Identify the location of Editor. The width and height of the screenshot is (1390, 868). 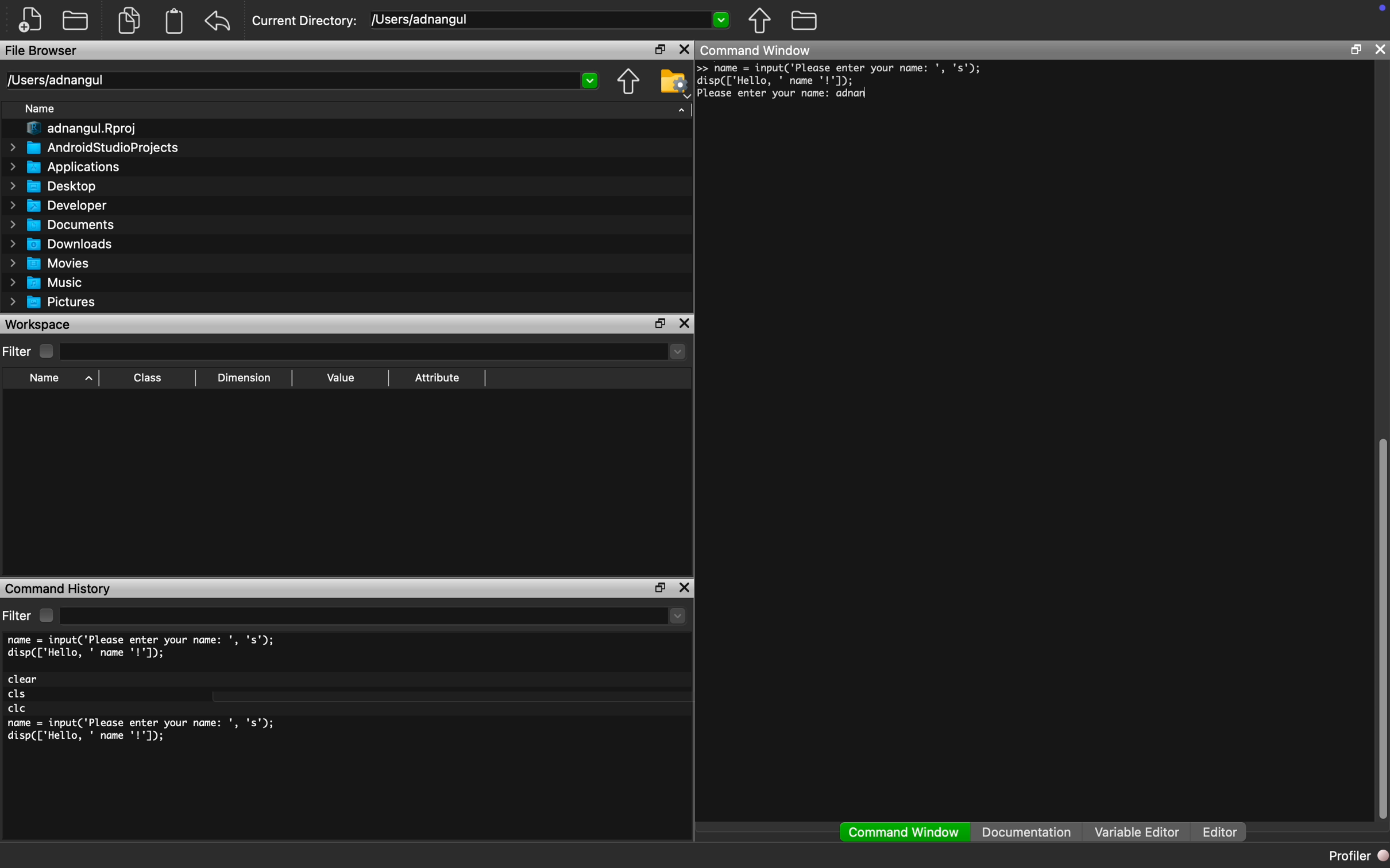
(1225, 832).